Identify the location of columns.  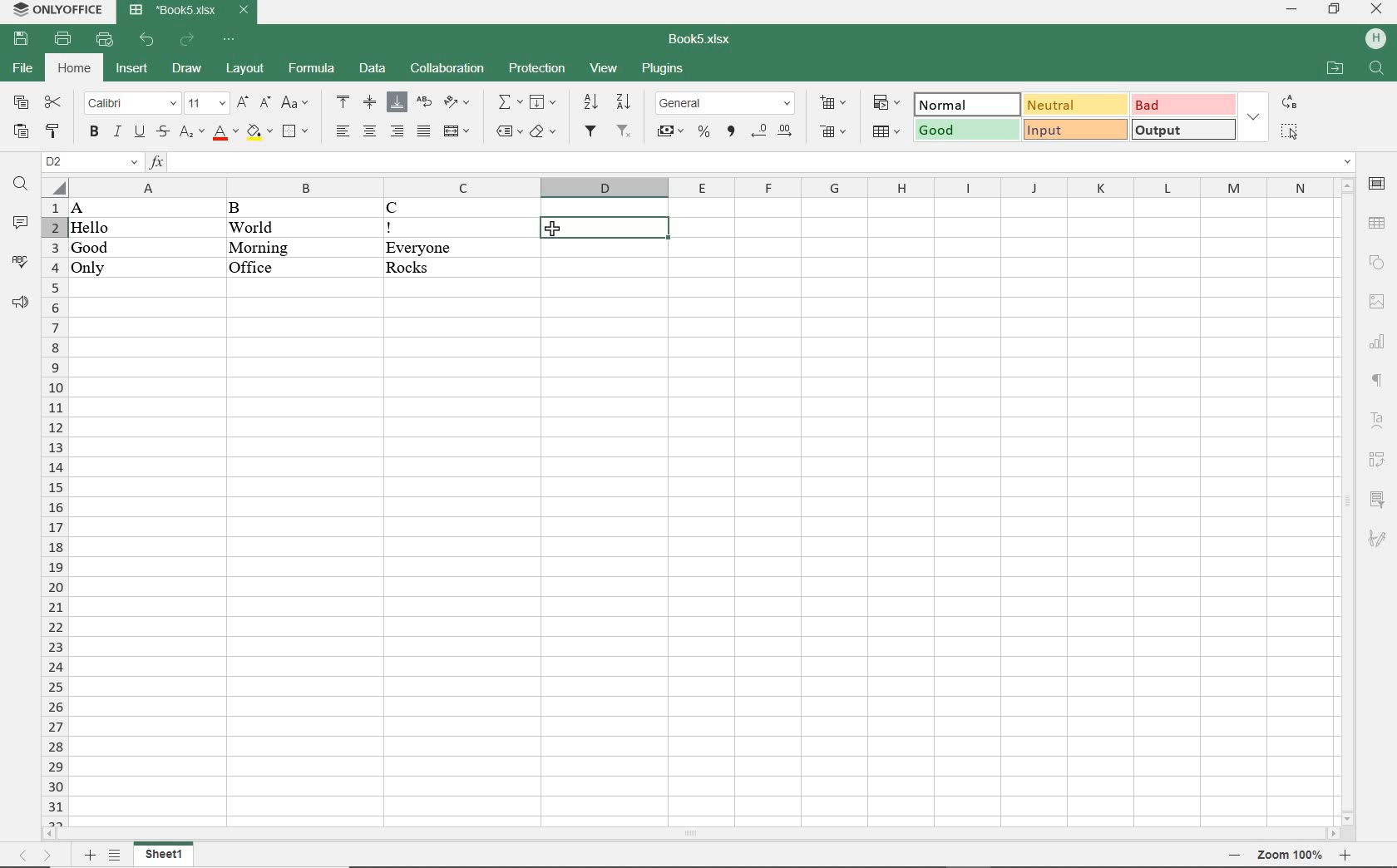
(697, 188).